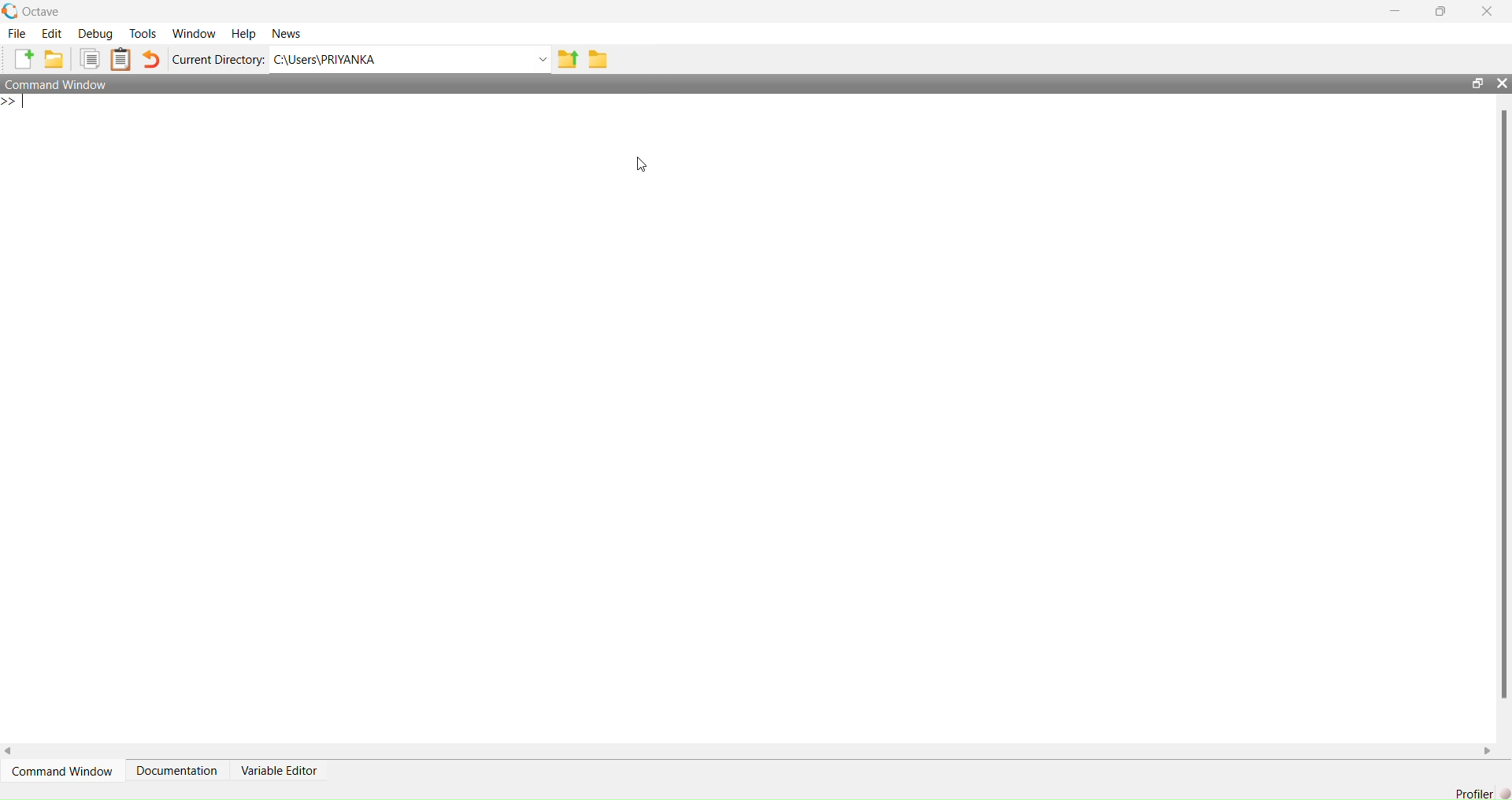  What do you see at coordinates (1488, 751) in the screenshot?
I see `scroll right` at bounding box center [1488, 751].